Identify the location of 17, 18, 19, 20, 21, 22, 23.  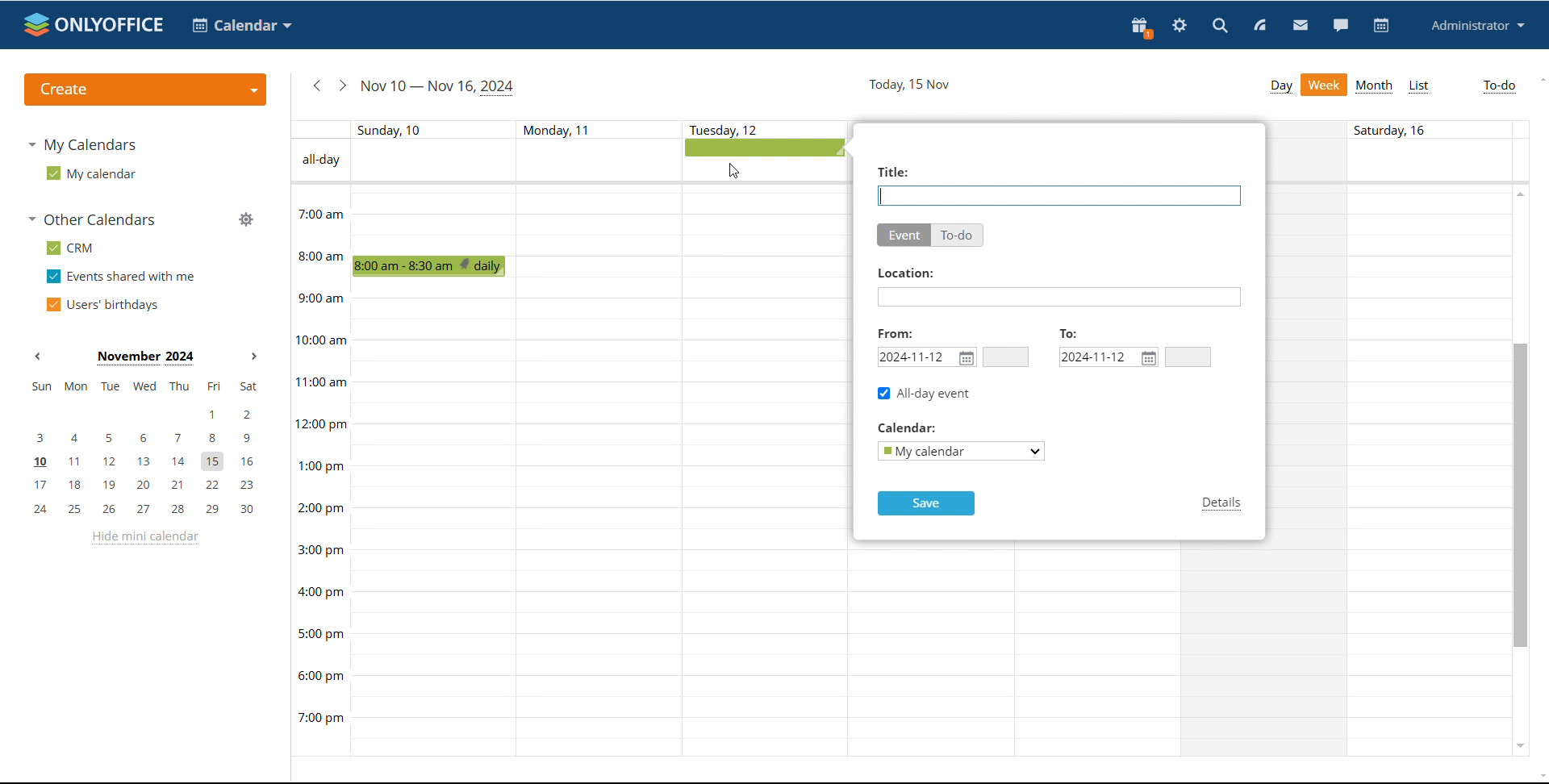
(150, 485).